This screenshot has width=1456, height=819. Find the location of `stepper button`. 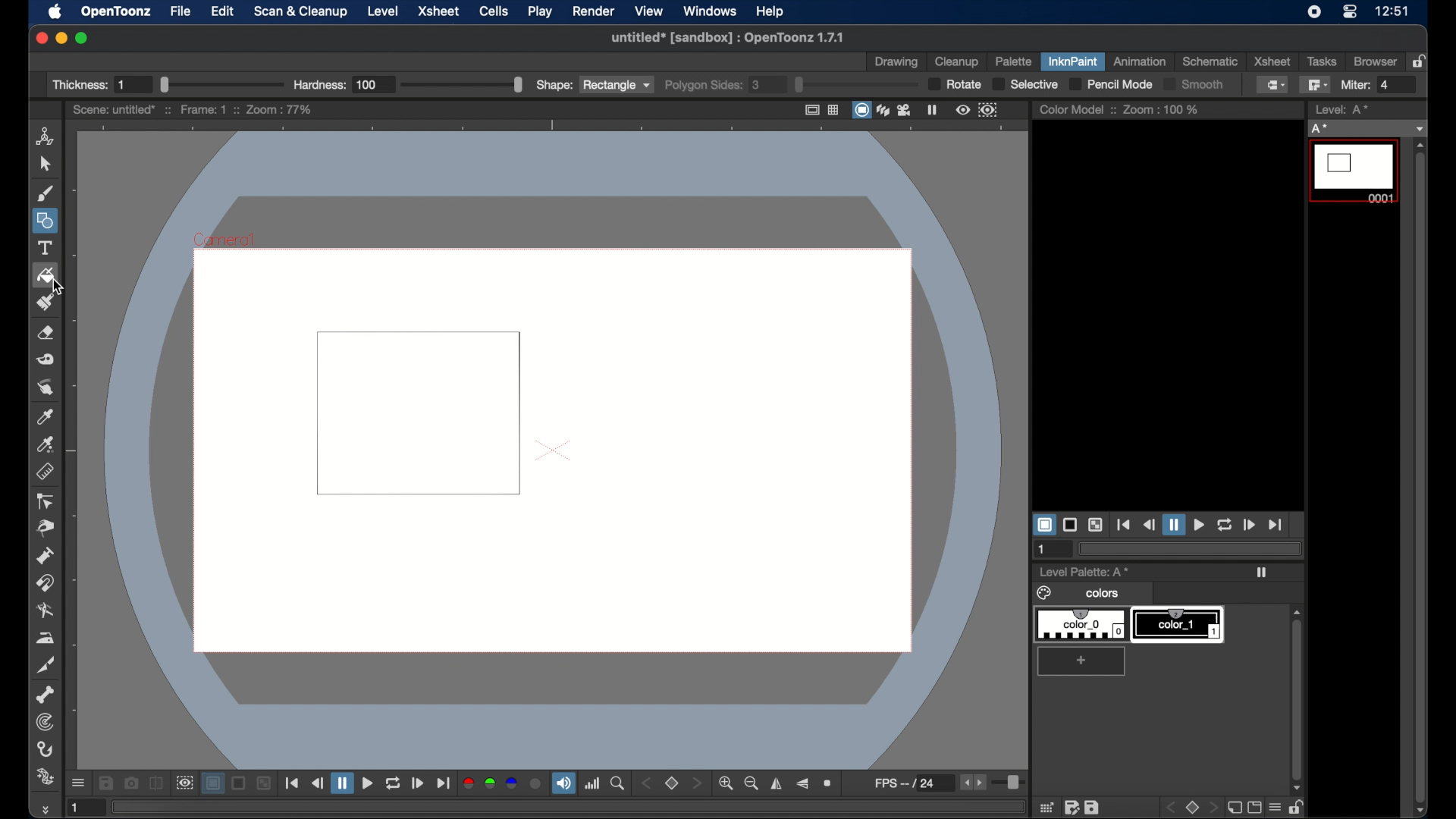

stepper button is located at coordinates (645, 783).